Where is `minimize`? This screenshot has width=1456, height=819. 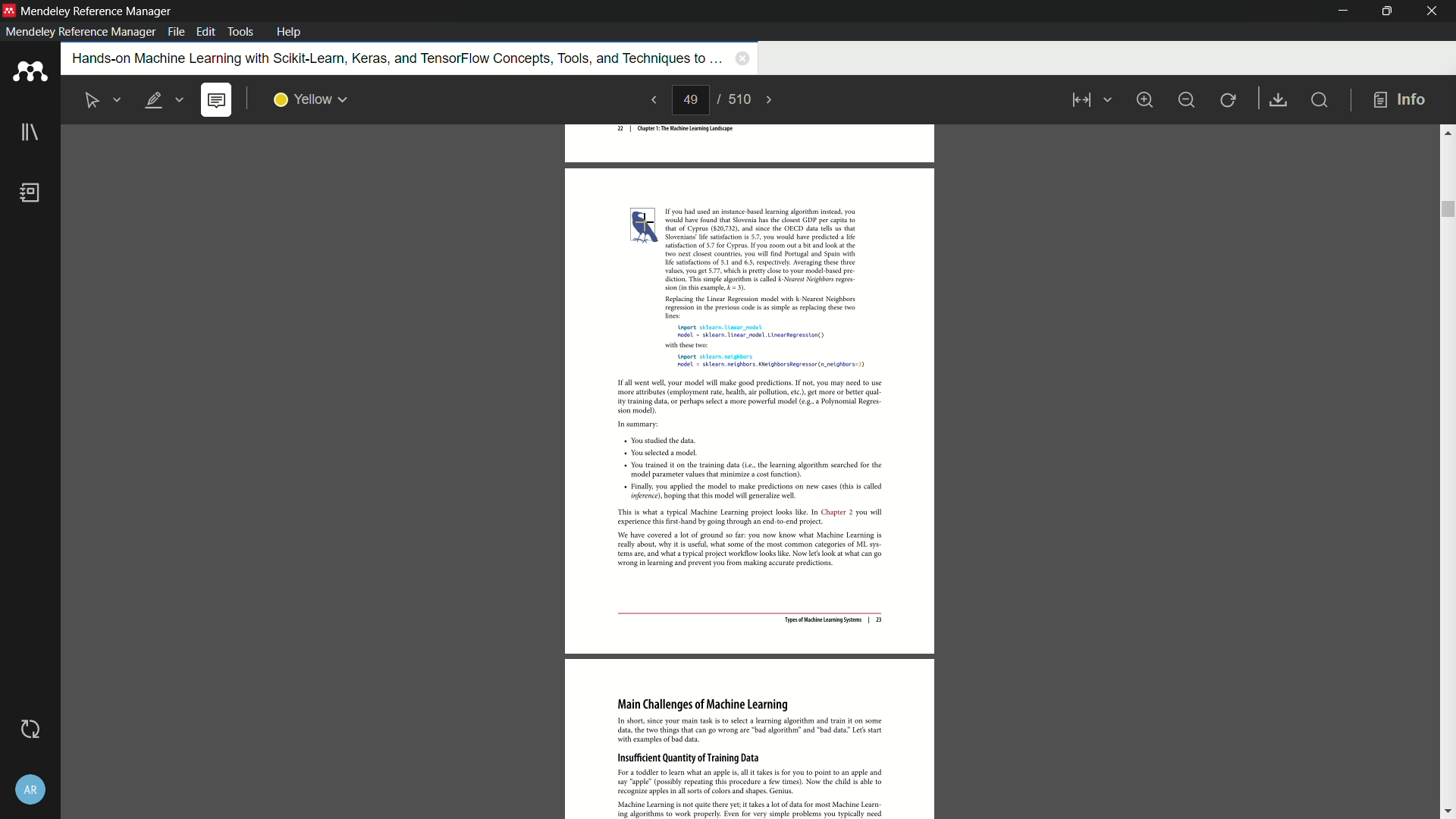
minimize is located at coordinates (1337, 11).